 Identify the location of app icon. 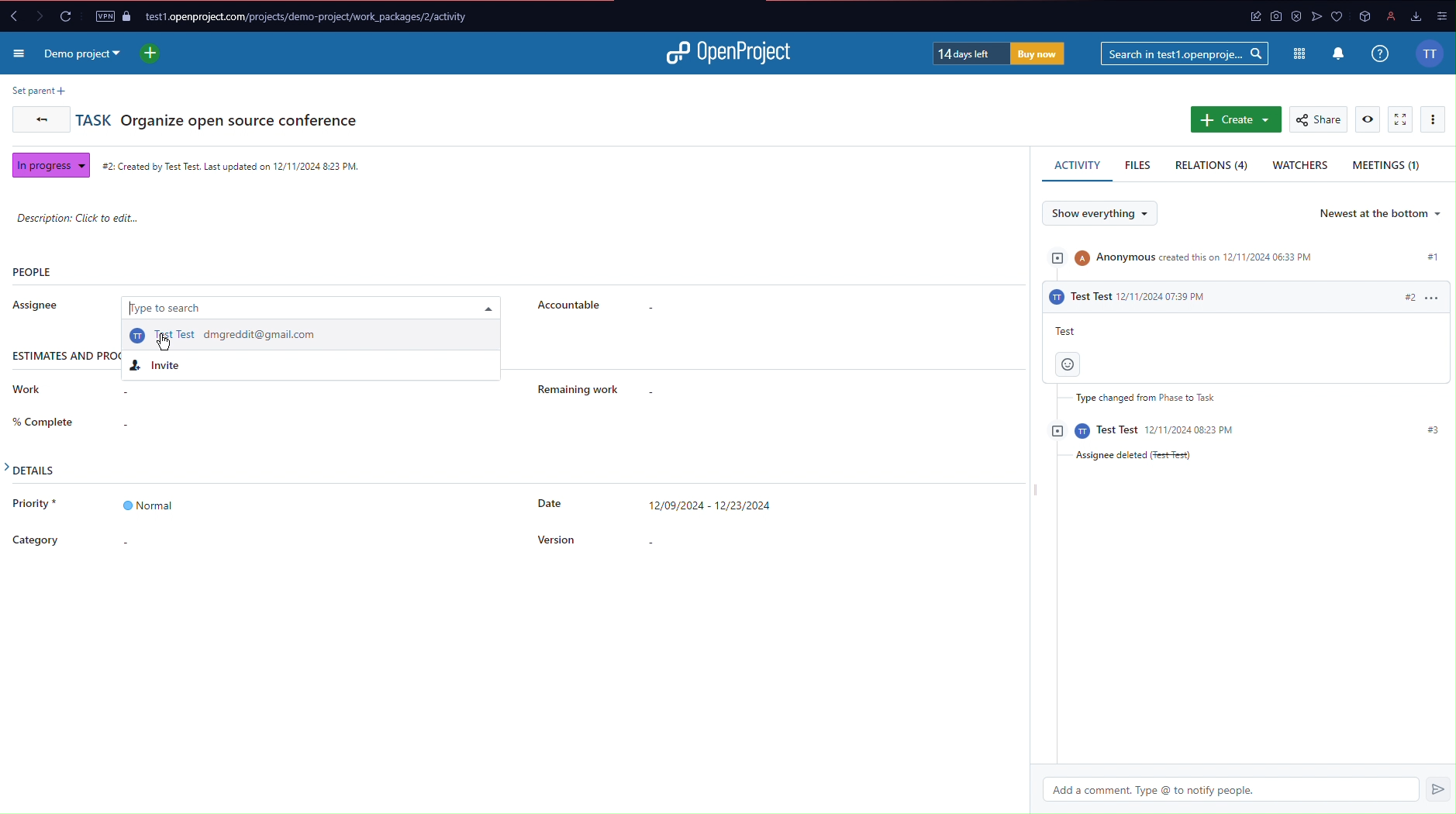
(1269, 16).